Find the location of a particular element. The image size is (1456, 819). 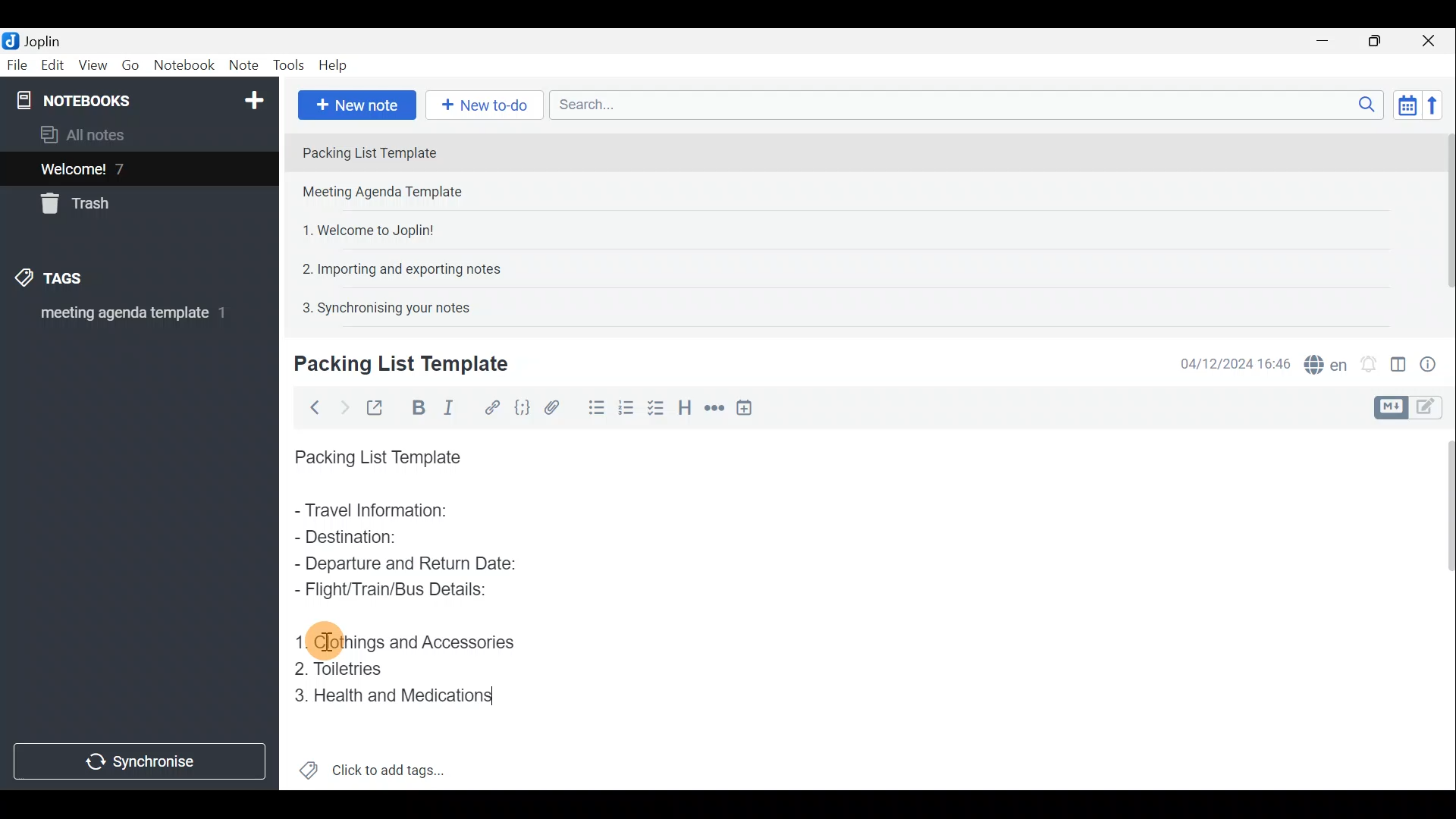

Departure and Return Date: is located at coordinates (406, 563).